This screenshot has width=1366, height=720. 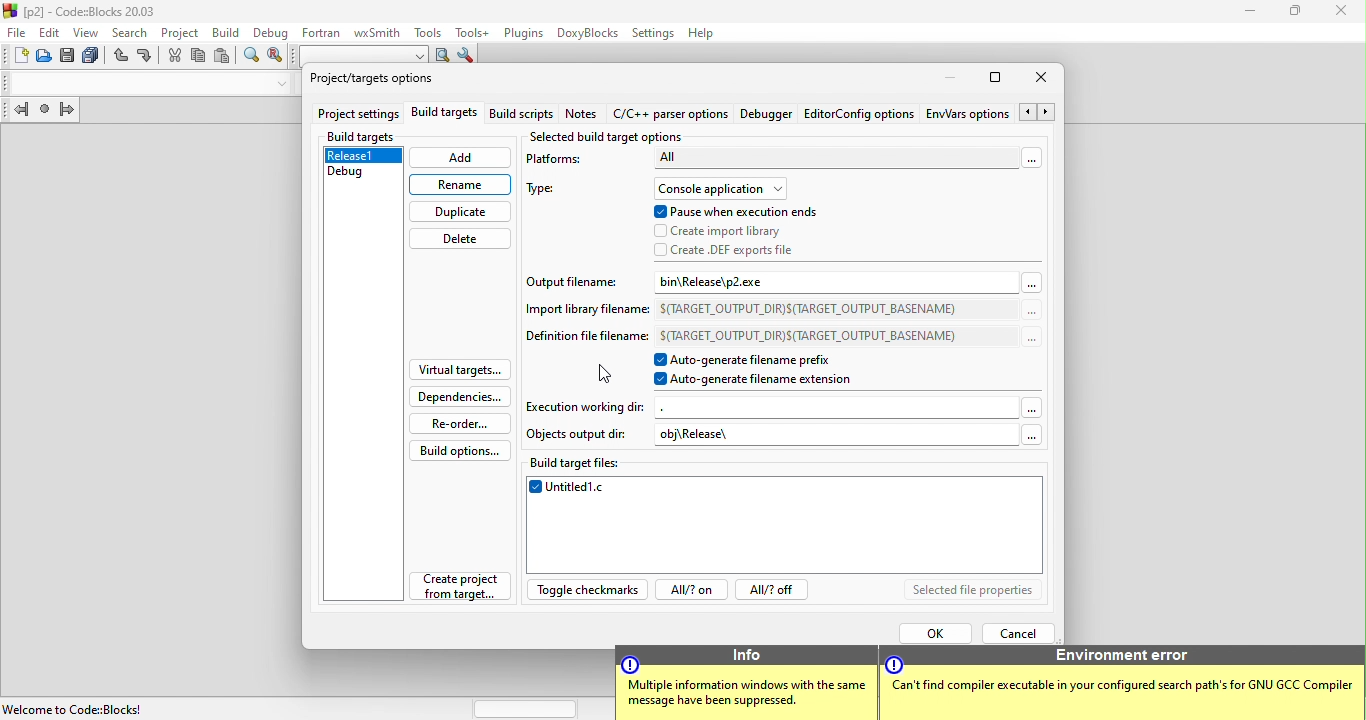 I want to click on paste, so click(x=222, y=57).